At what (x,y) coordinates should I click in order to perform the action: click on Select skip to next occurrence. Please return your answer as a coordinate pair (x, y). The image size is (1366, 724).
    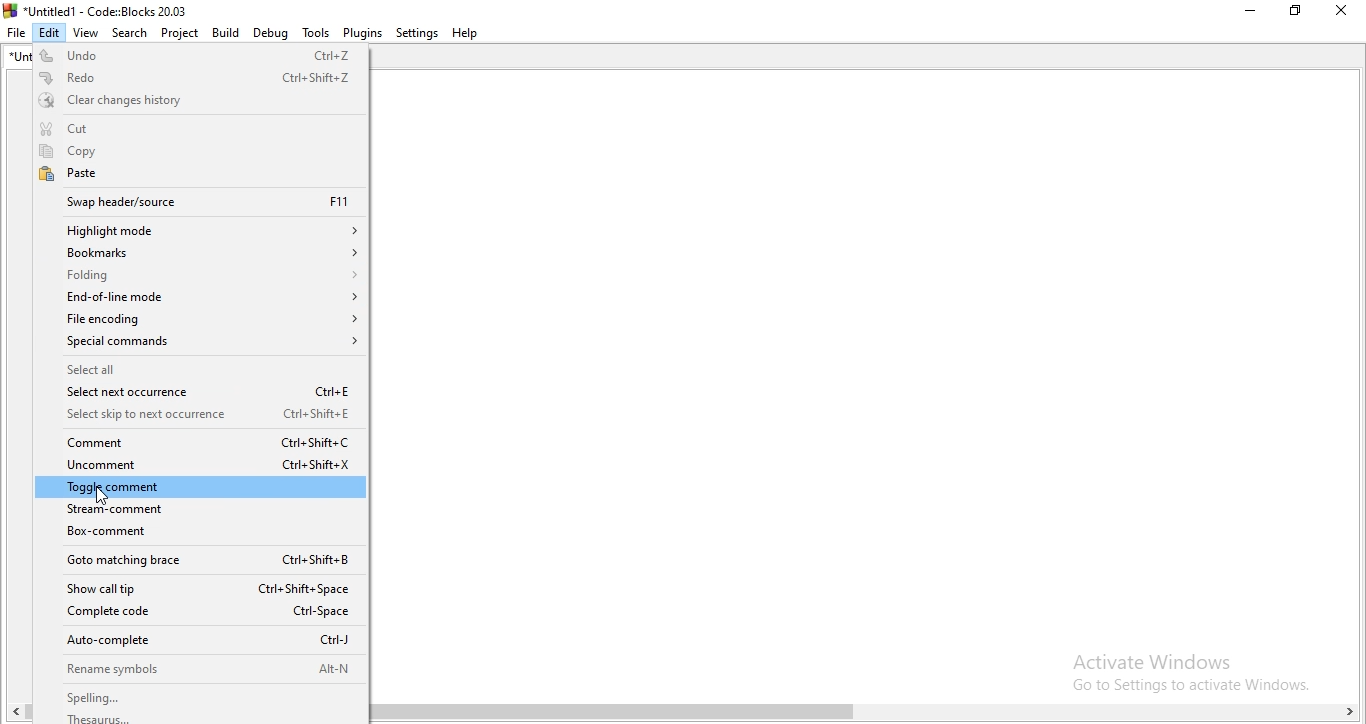
    Looking at the image, I should click on (202, 417).